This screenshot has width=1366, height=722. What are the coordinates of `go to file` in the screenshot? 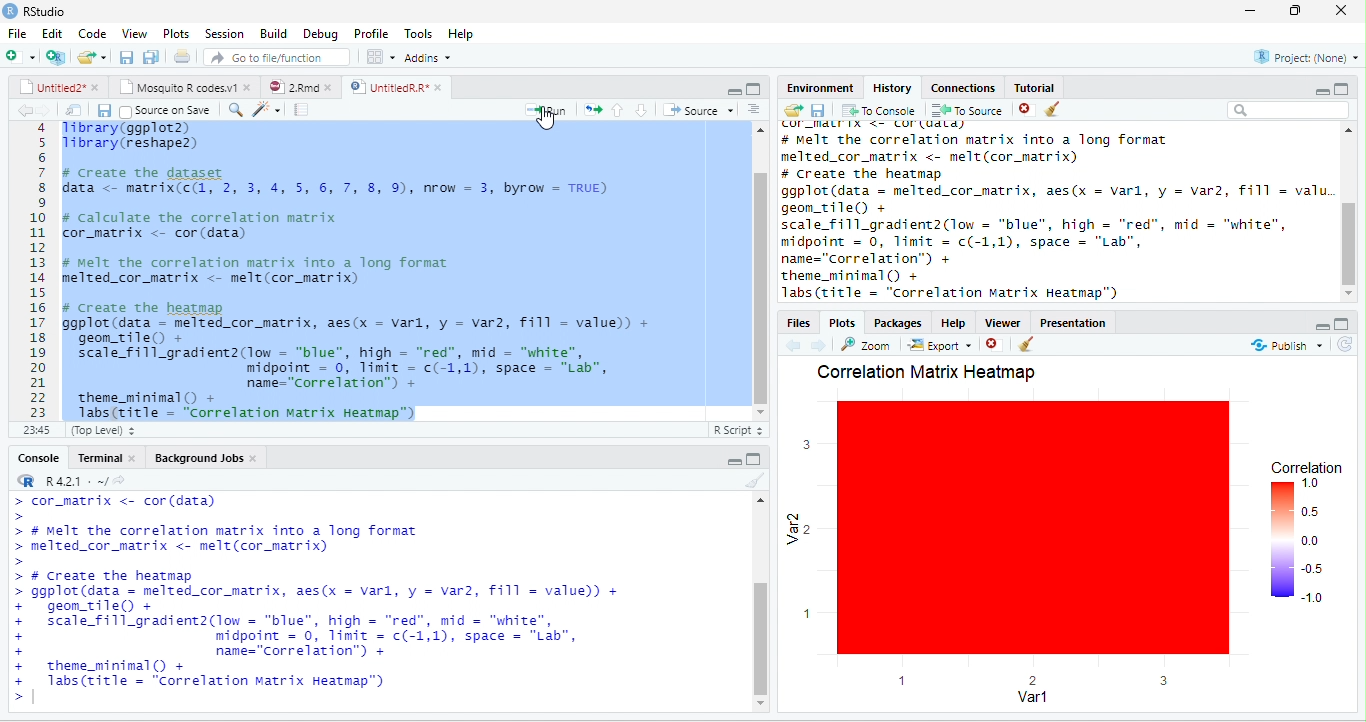 It's located at (278, 56).